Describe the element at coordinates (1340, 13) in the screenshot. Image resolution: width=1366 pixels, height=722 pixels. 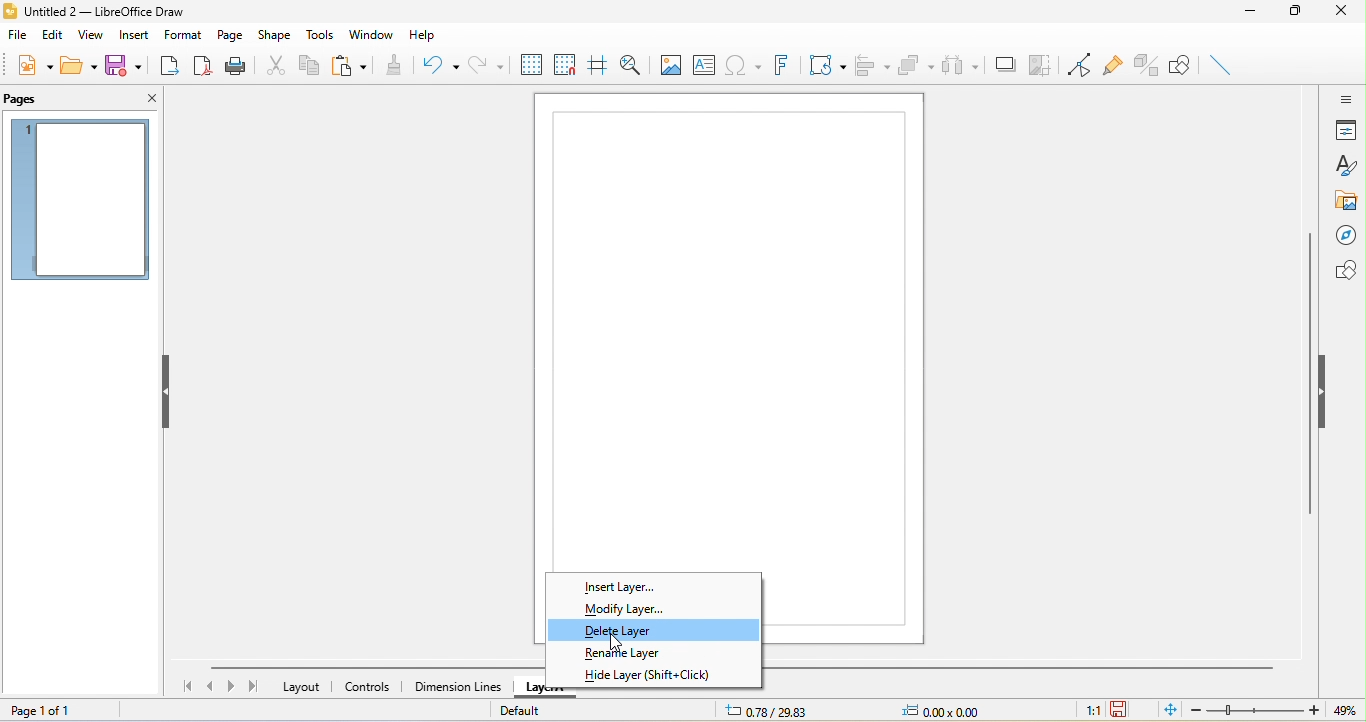
I see `close` at that location.